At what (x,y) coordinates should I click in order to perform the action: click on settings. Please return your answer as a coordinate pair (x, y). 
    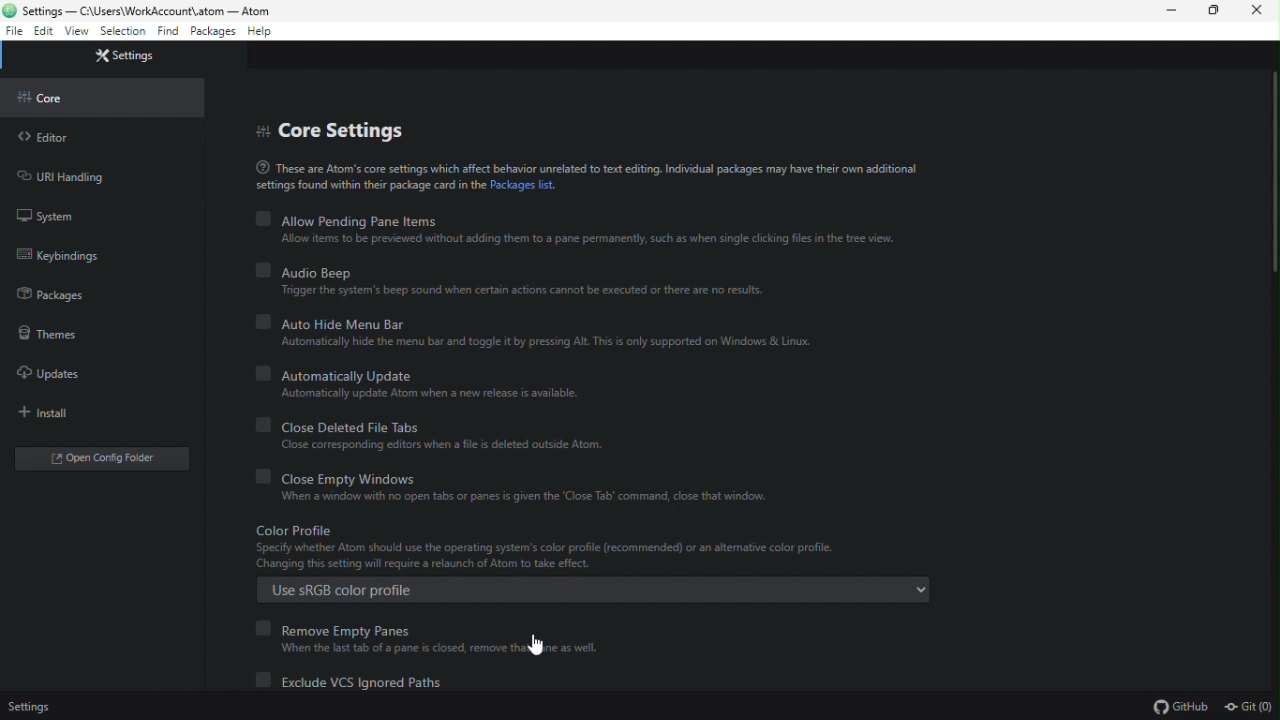
    Looking at the image, I should click on (33, 707).